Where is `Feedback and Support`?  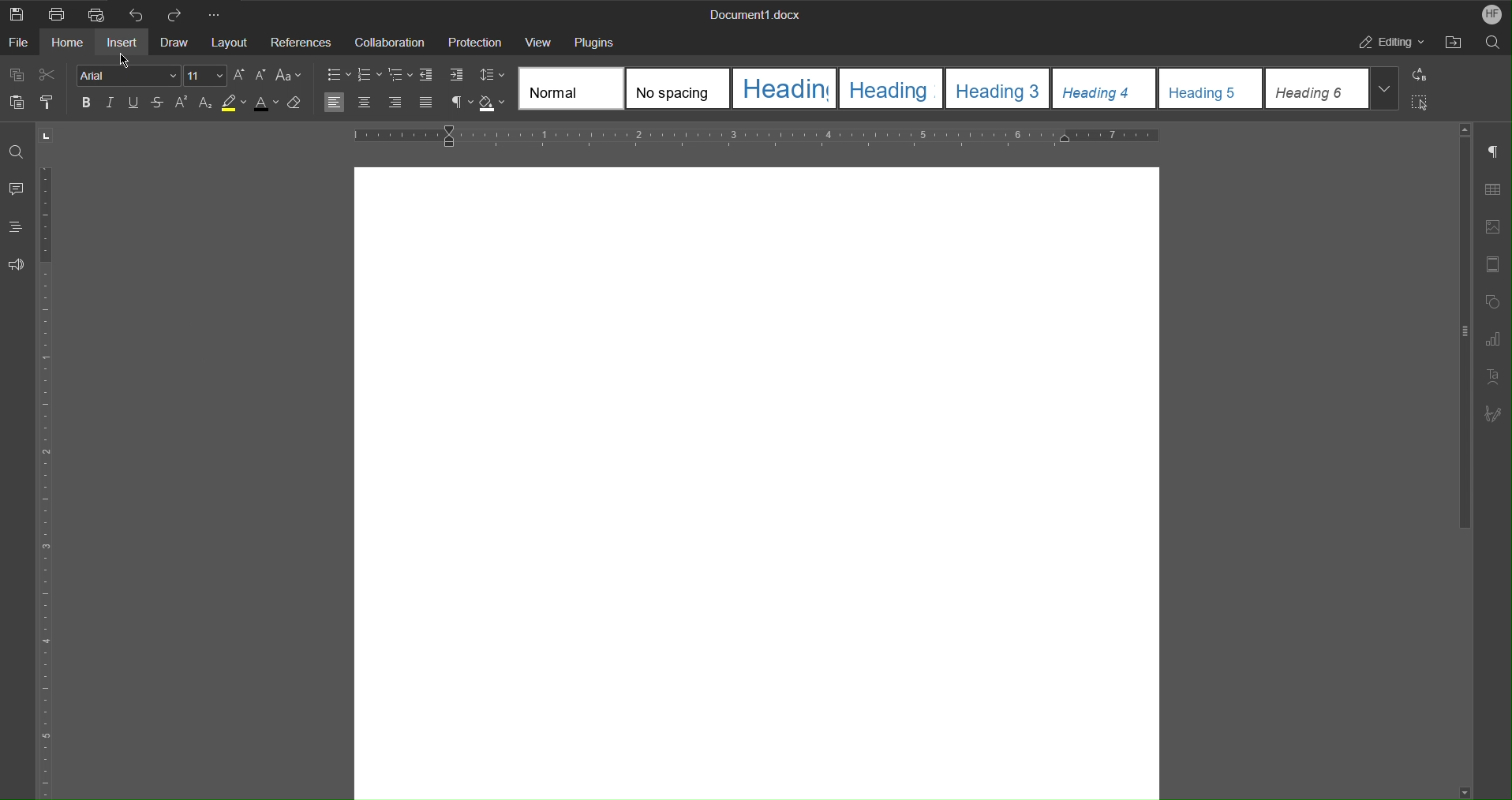 Feedback and Support is located at coordinates (17, 267).